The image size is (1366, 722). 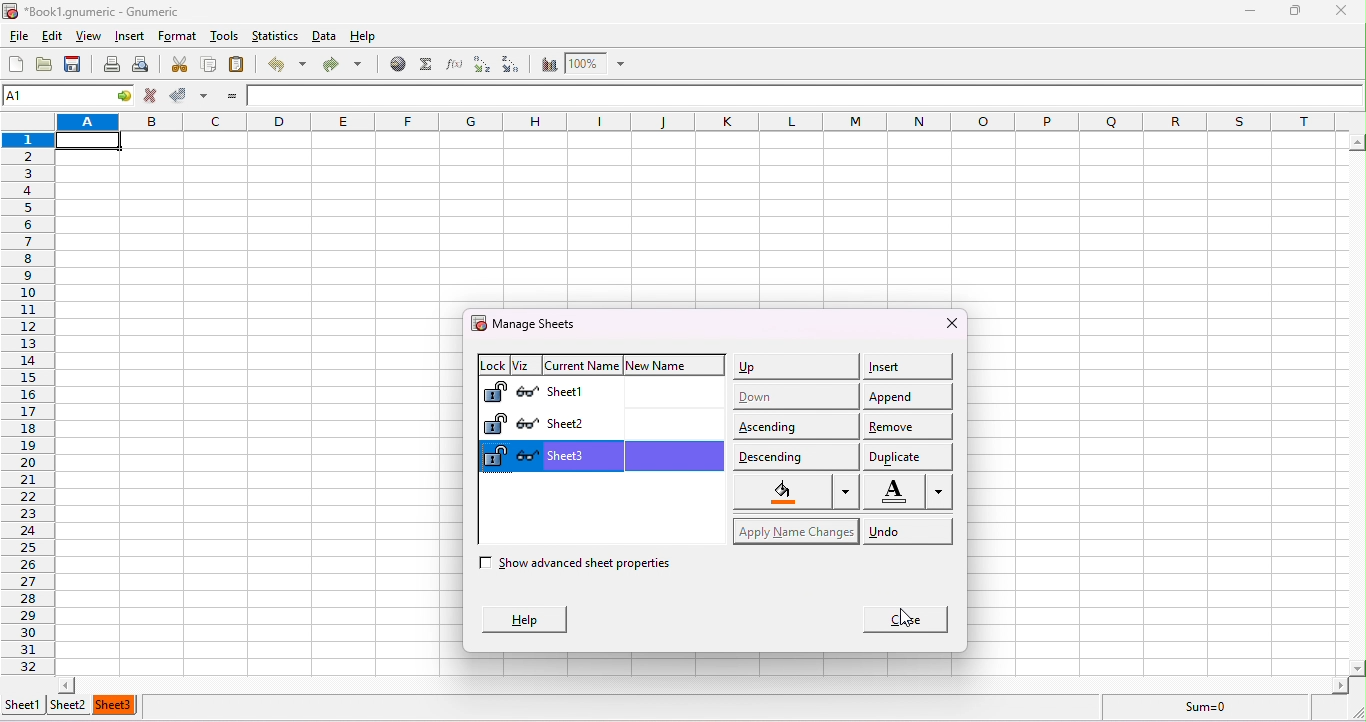 What do you see at coordinates (23, 708) in the screenshot?
I see `sheet 1` at bounding box center [23, 708].